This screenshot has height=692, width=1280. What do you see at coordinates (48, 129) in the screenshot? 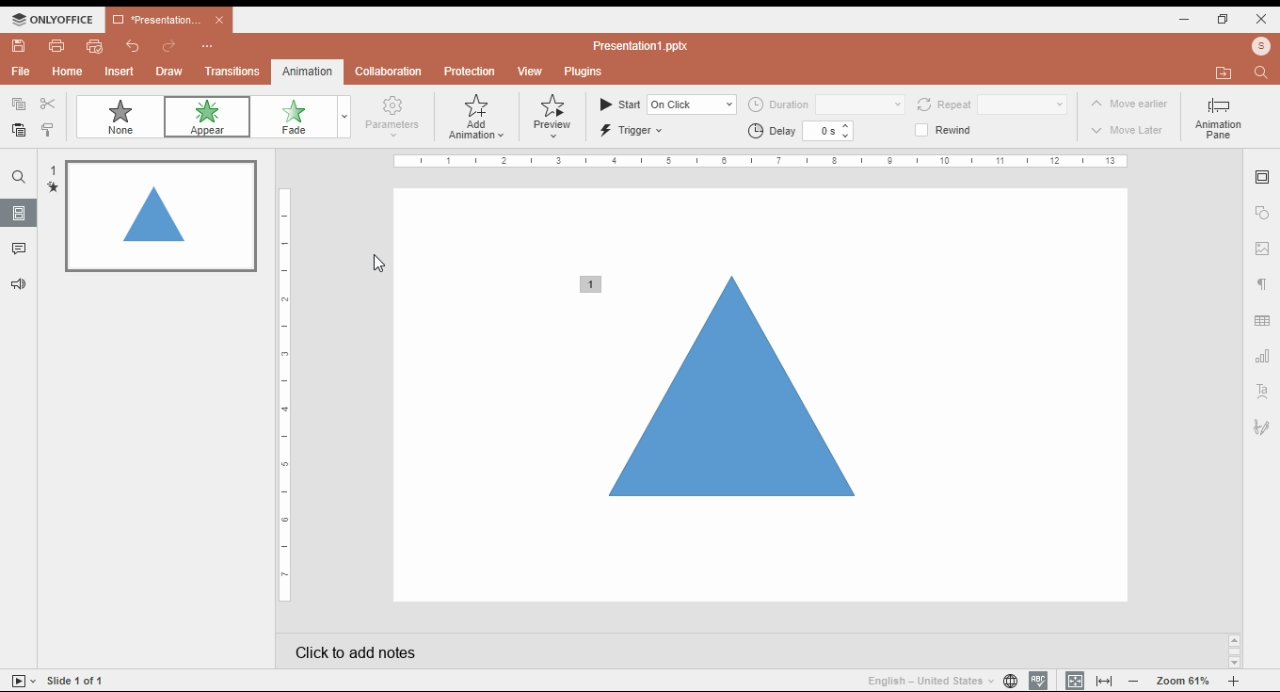
I see `copy style` at bounding box center [48, 129].